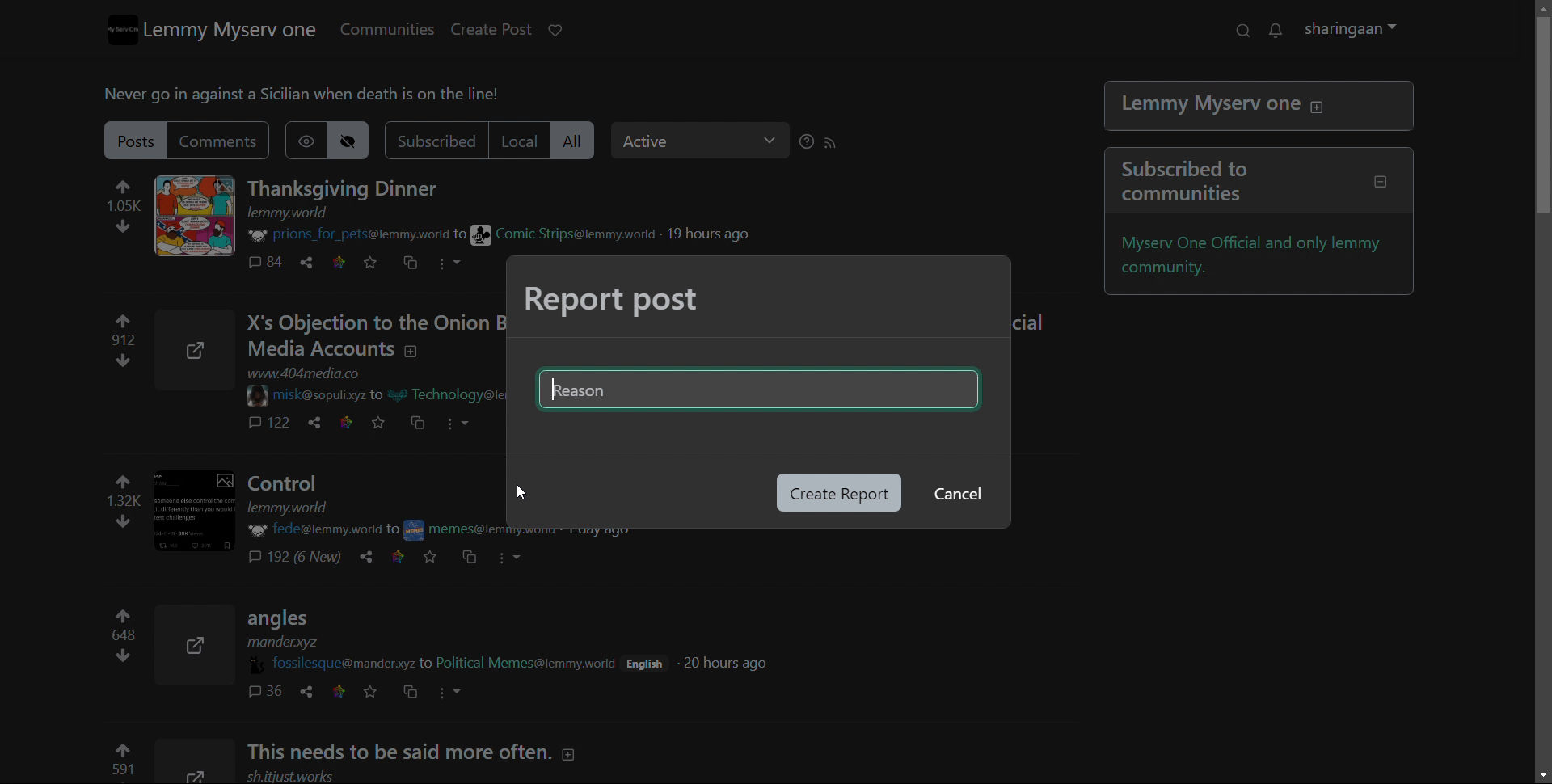 This screenshot has width=1552, height=784. Describe the element at coordinates (839, 143) in the screenshot. I see `rss` at that location.